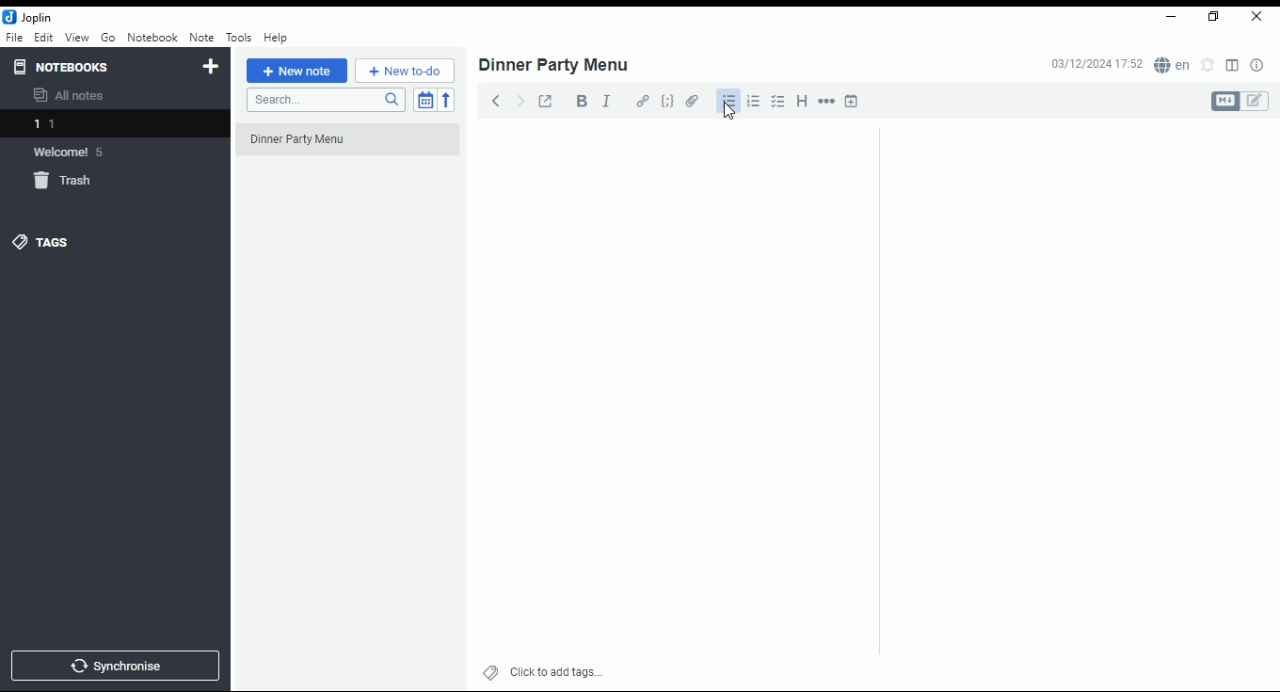 This screenshot has width=1280, height=692. Describe the element at coordinates (55, 242) in the screenshot. I see `tags` at that location.